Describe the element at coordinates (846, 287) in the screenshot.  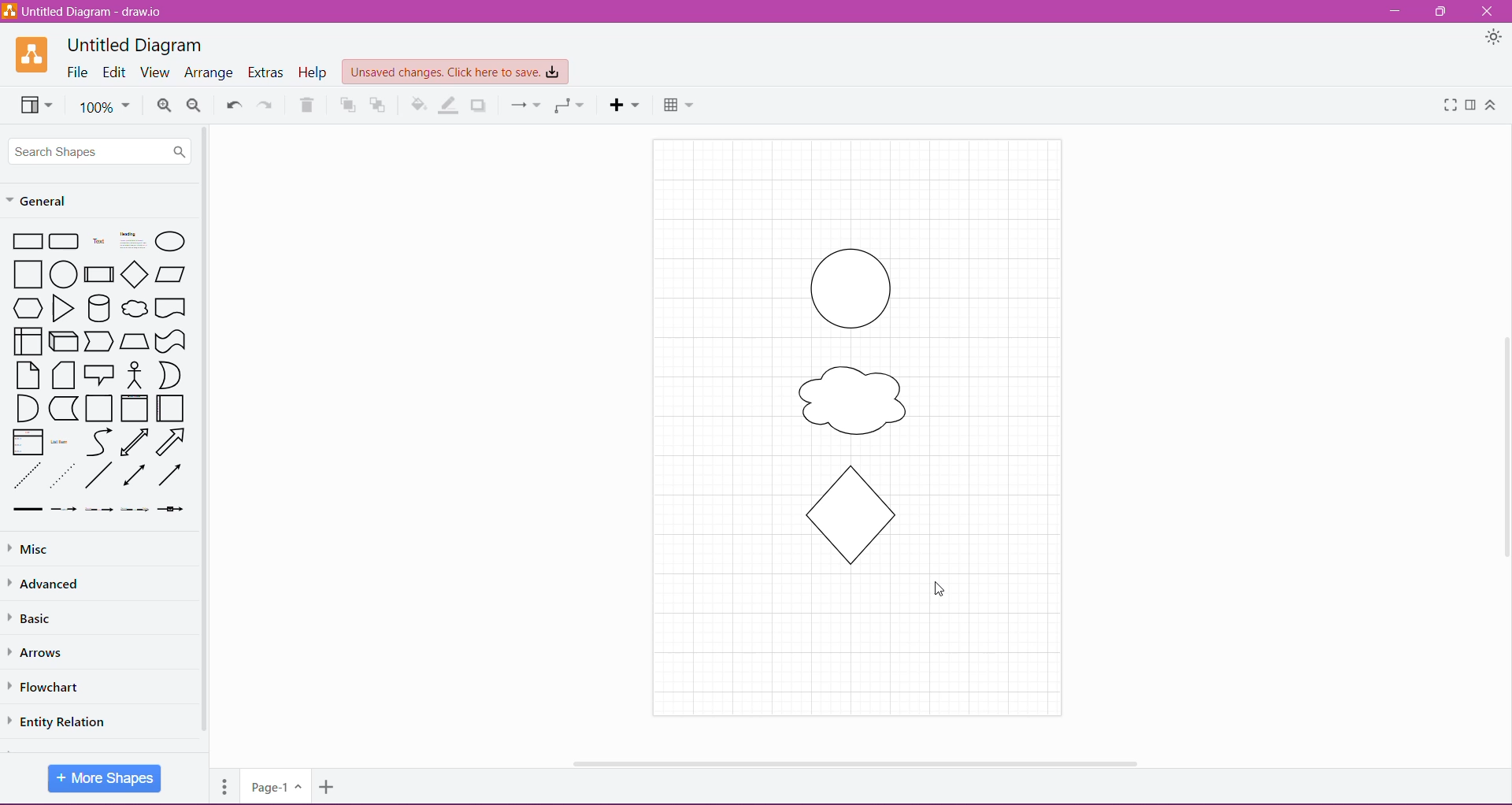
I see `Shape 1` at that location.